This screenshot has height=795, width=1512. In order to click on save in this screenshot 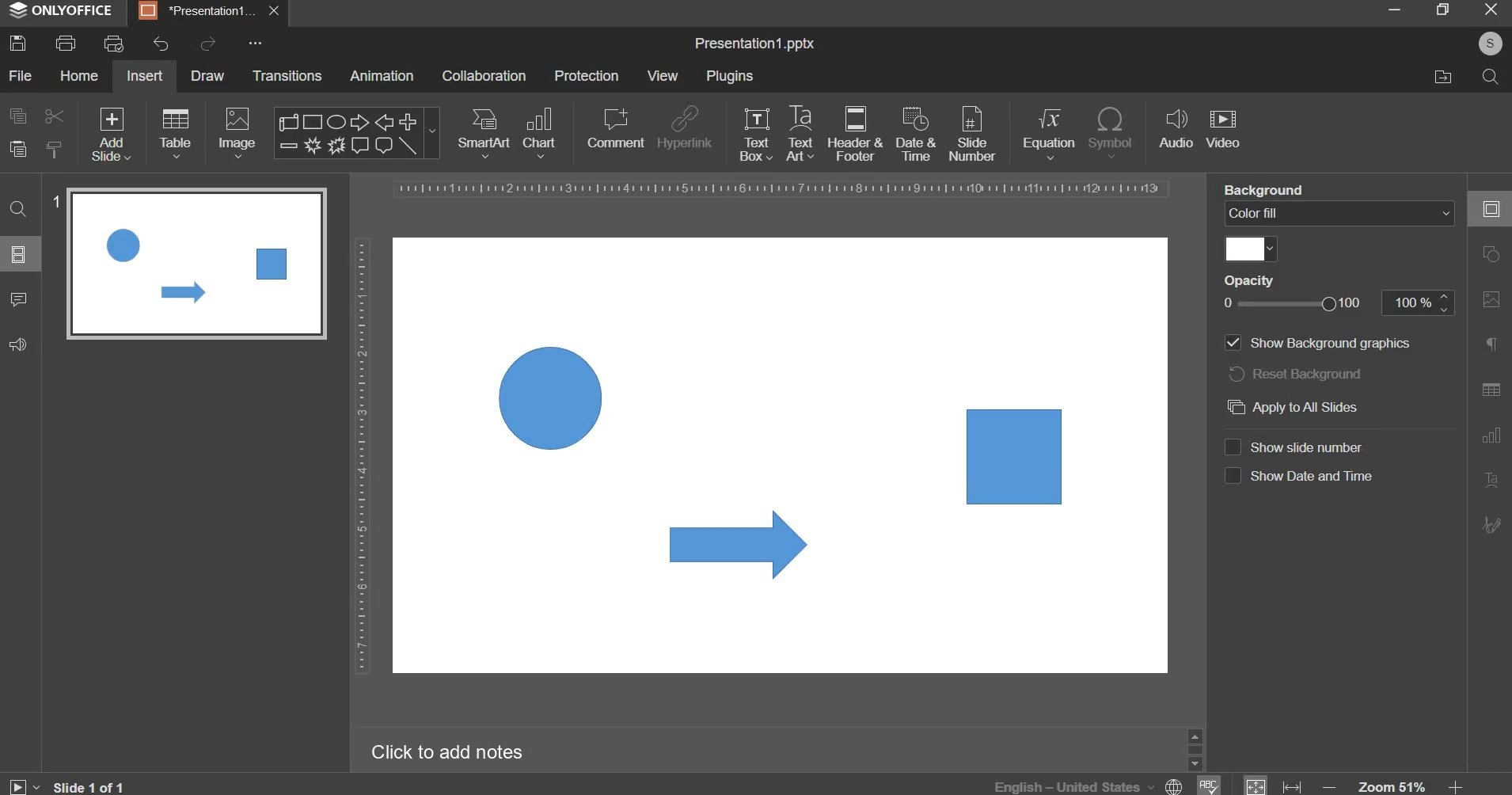, I will do `click(17, 43)`.